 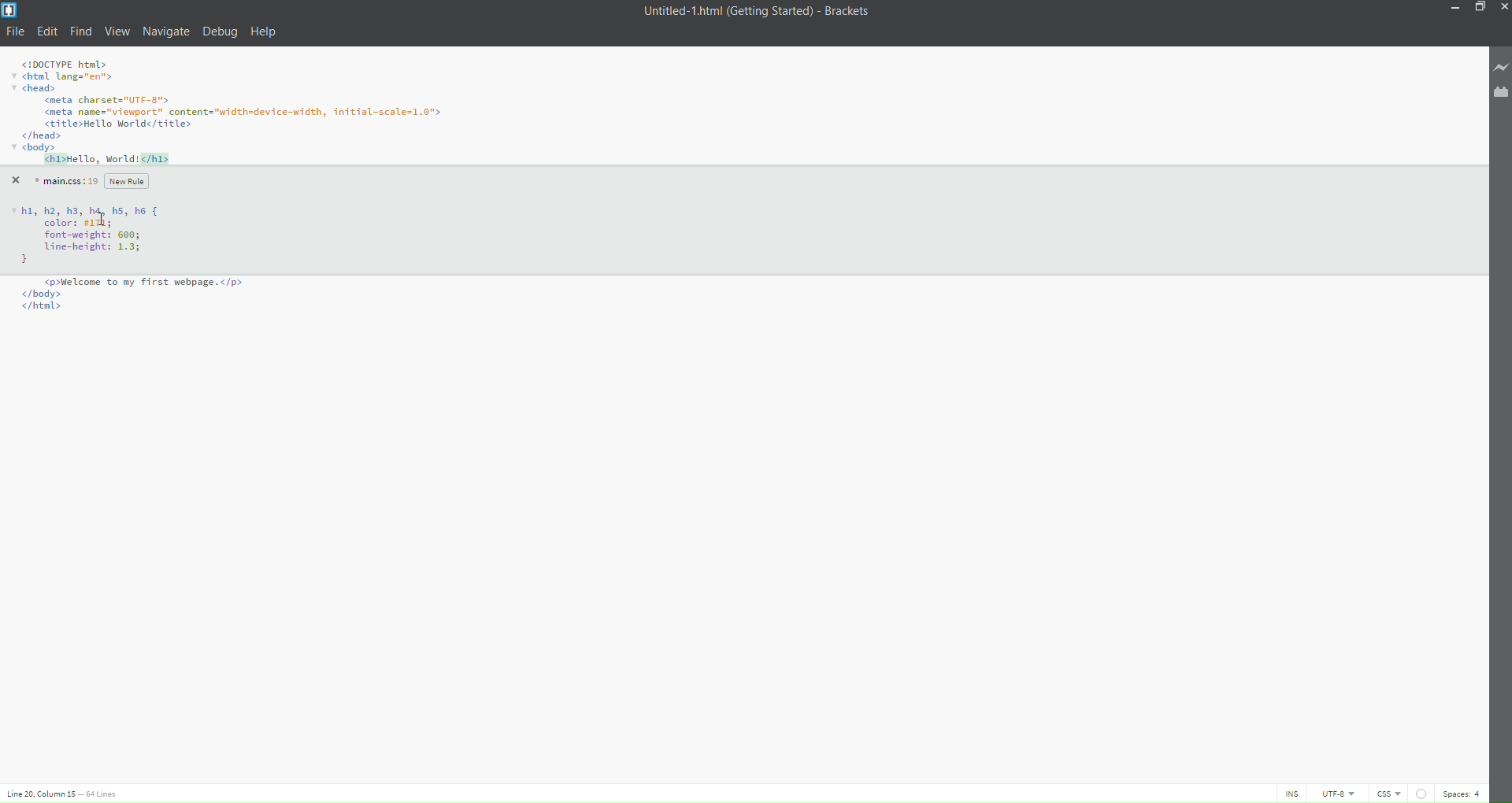 What do you see at coordinates (1285, 794) in the screenshot?
I see `ins` at bounding box center [1285, 794].